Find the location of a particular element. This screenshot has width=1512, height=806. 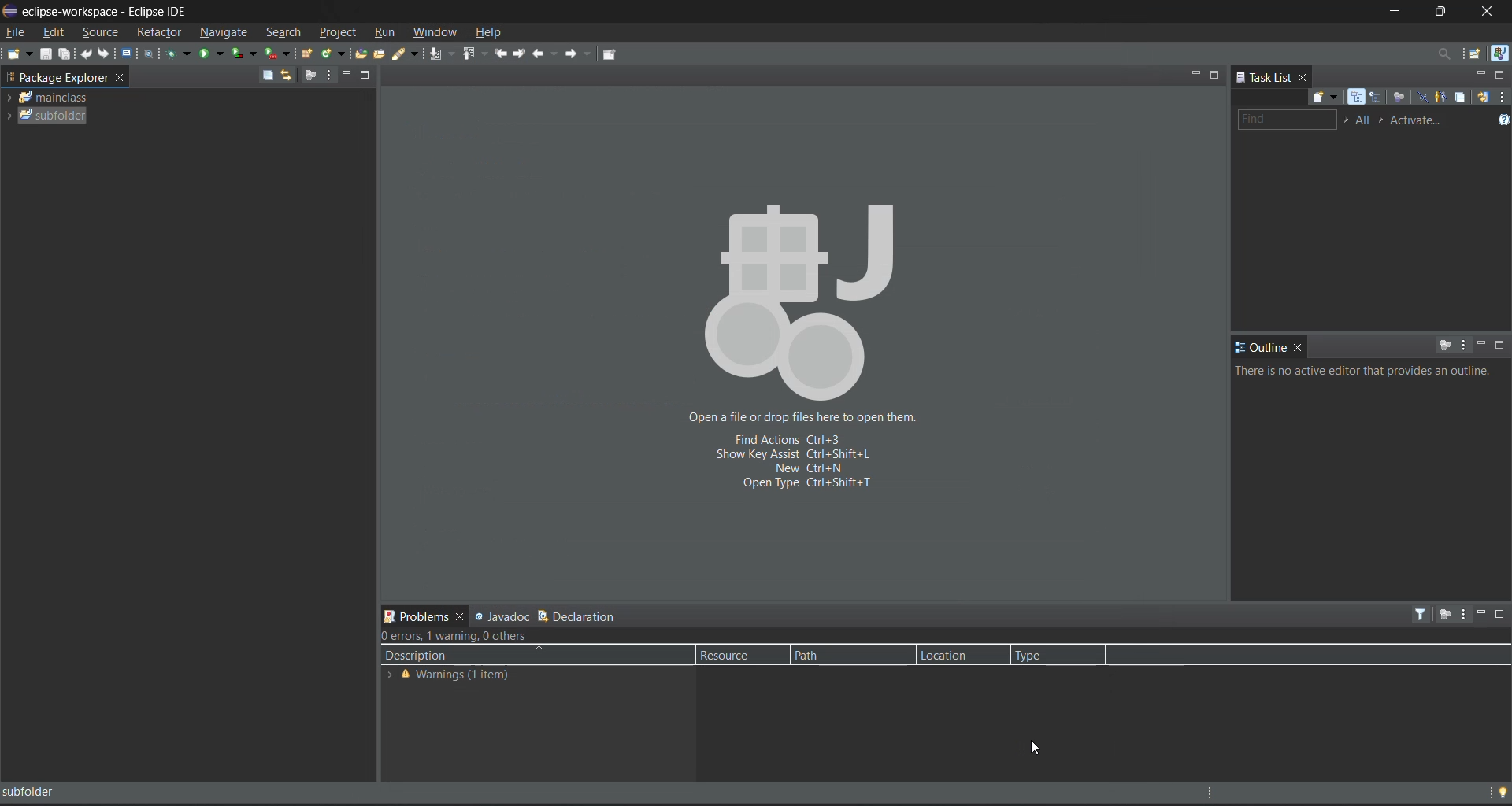

collapse all is located at coordinates (1462, 98).